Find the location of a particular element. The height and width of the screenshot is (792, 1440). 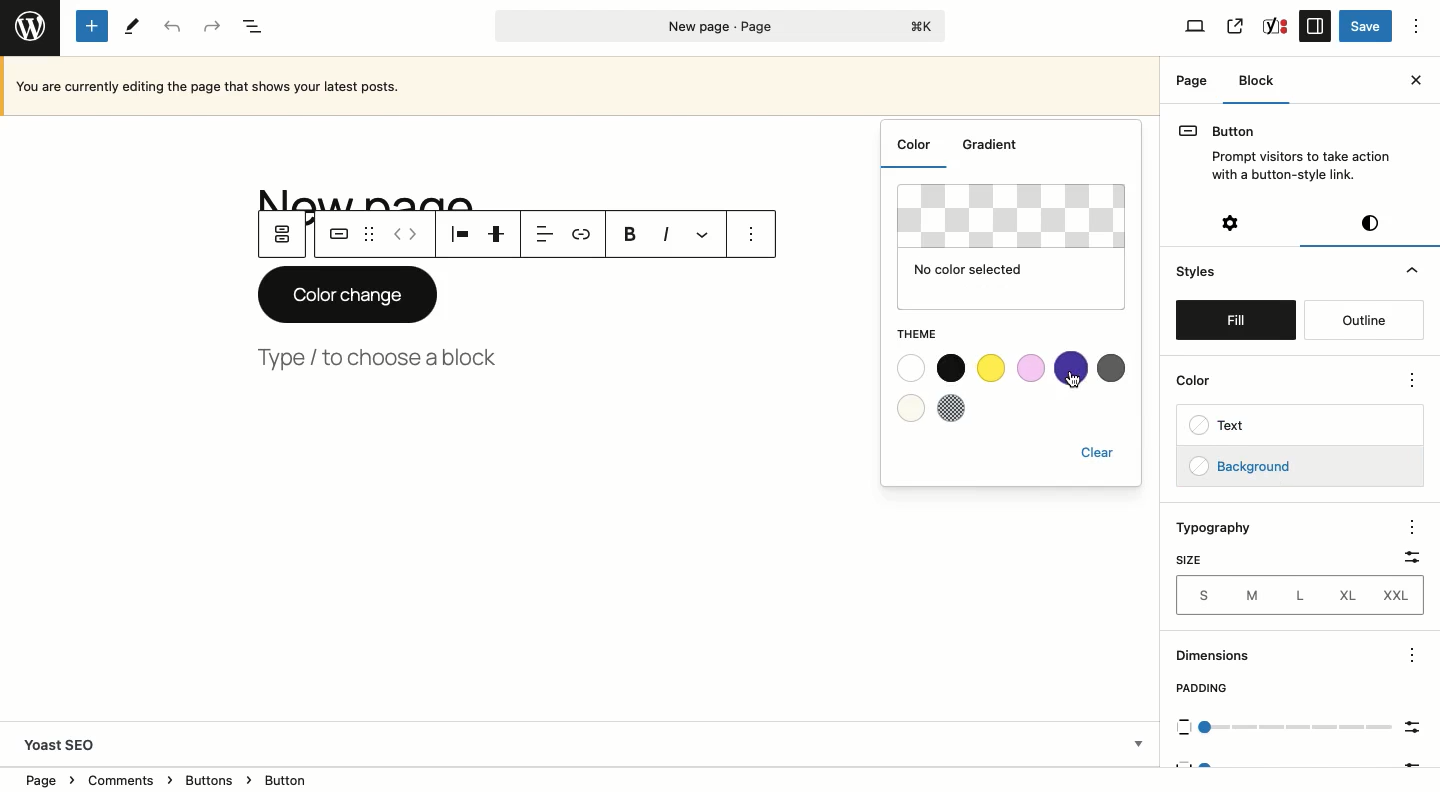

Page is located at coordinates (1192, 80).